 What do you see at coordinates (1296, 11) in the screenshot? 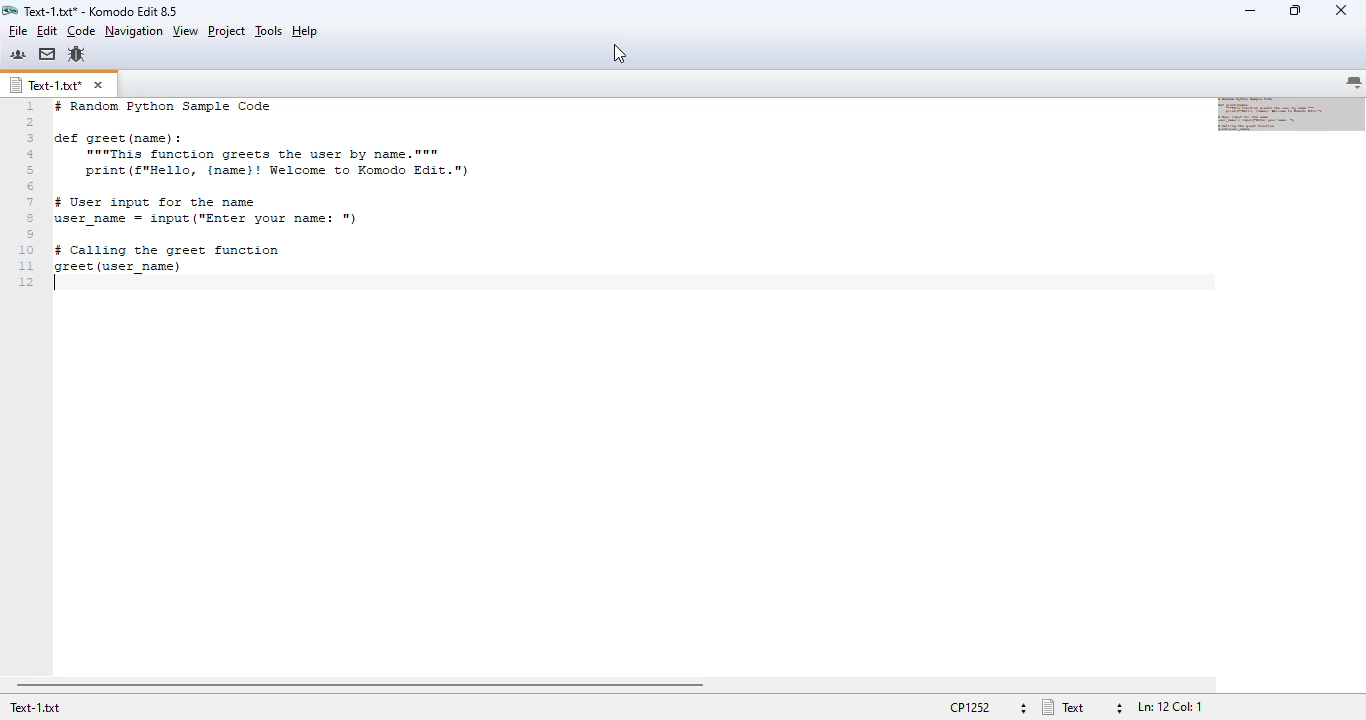
I see `maximize` at bounding box center [1296, 11].